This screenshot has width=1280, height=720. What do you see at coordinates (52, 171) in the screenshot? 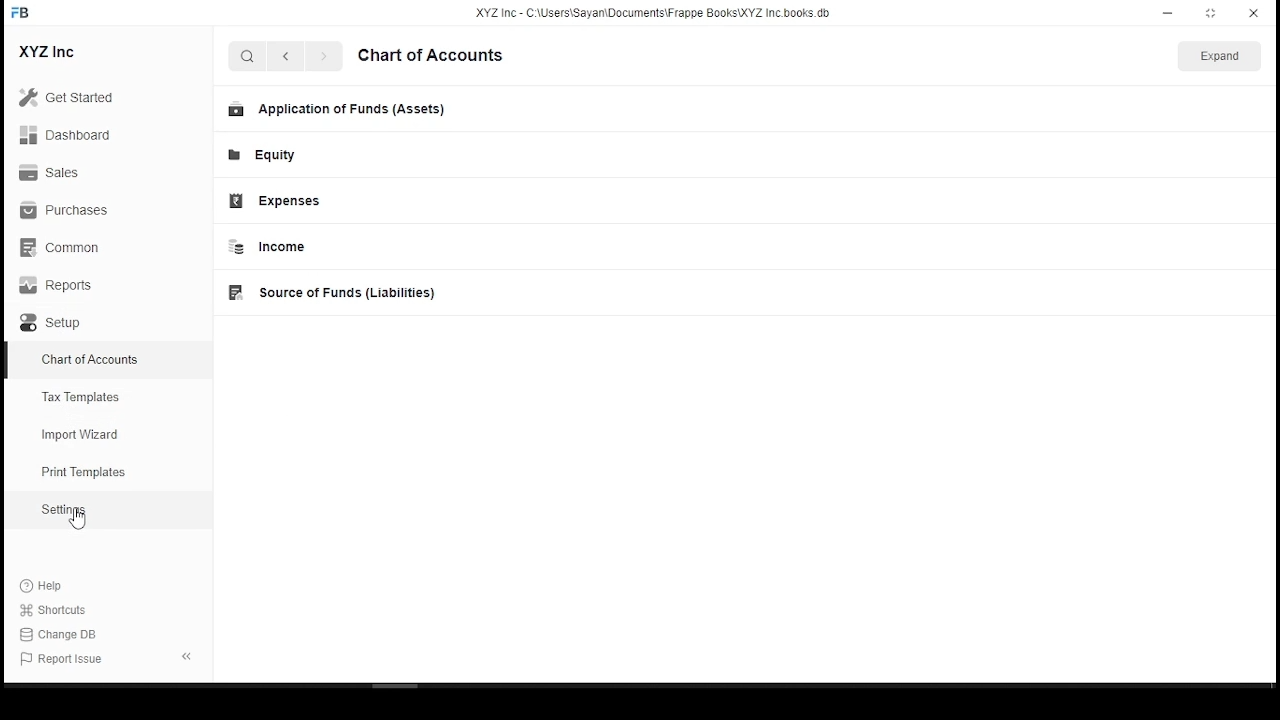
I see `Sales` at bounding box center [52, 171].